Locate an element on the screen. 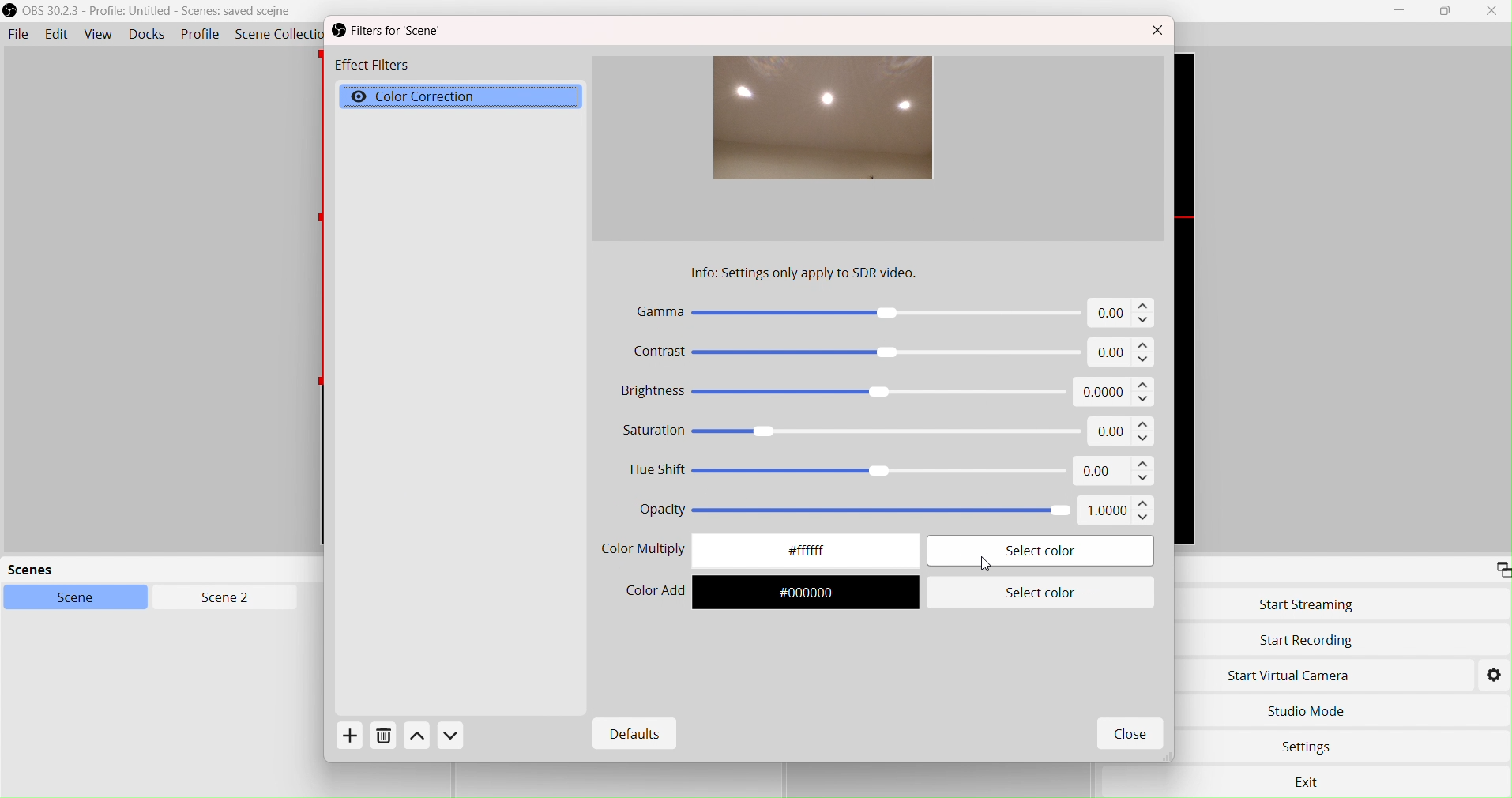   is located at coordinates (180, 11).